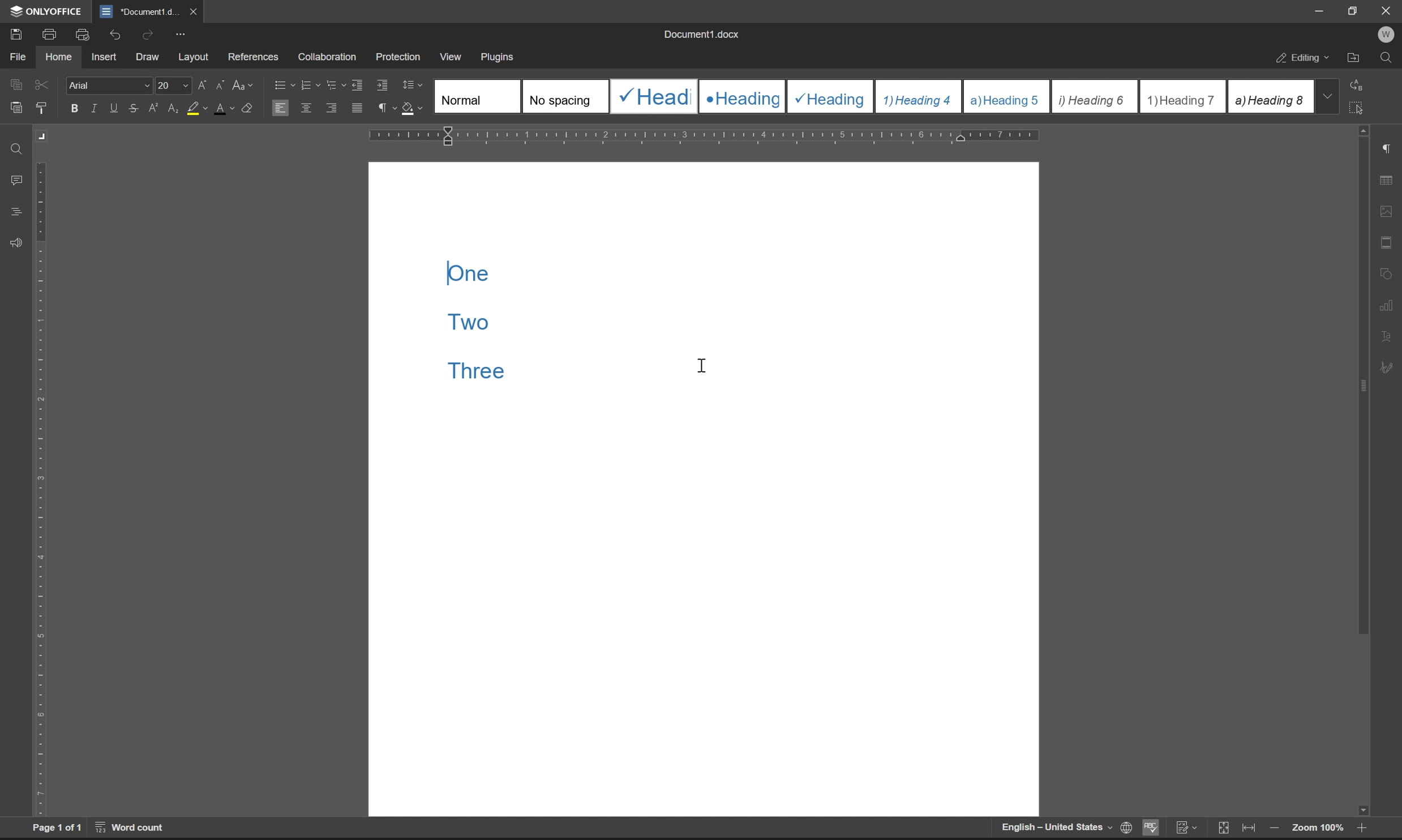 The width and height of the screenshot is (1402, 840). Describe the element at coordinates (58, 55) in the screenshot. I see `home` at that location.